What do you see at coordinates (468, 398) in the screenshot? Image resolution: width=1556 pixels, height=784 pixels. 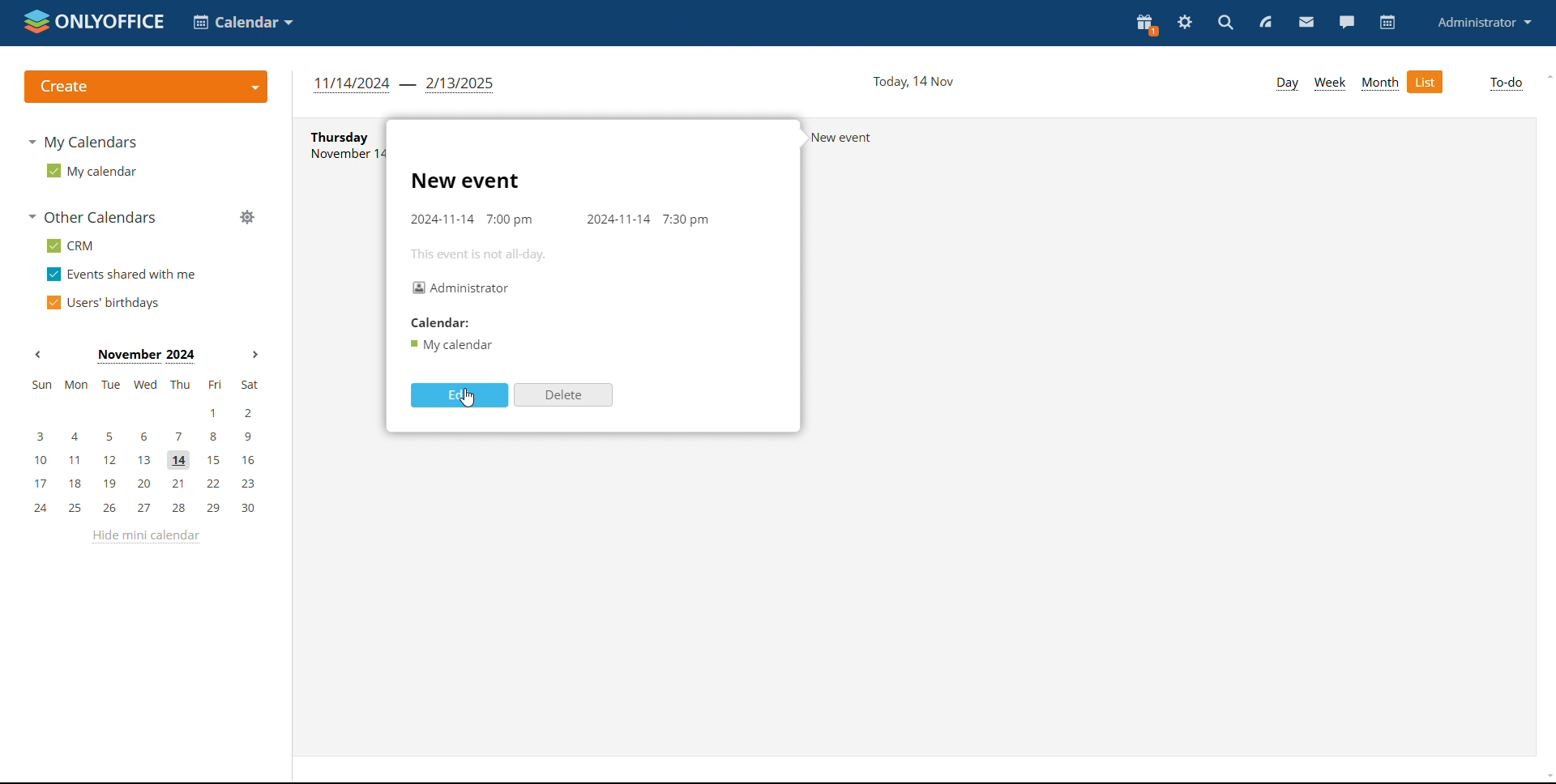 I see `cursor` at bounding box center [468, 398].